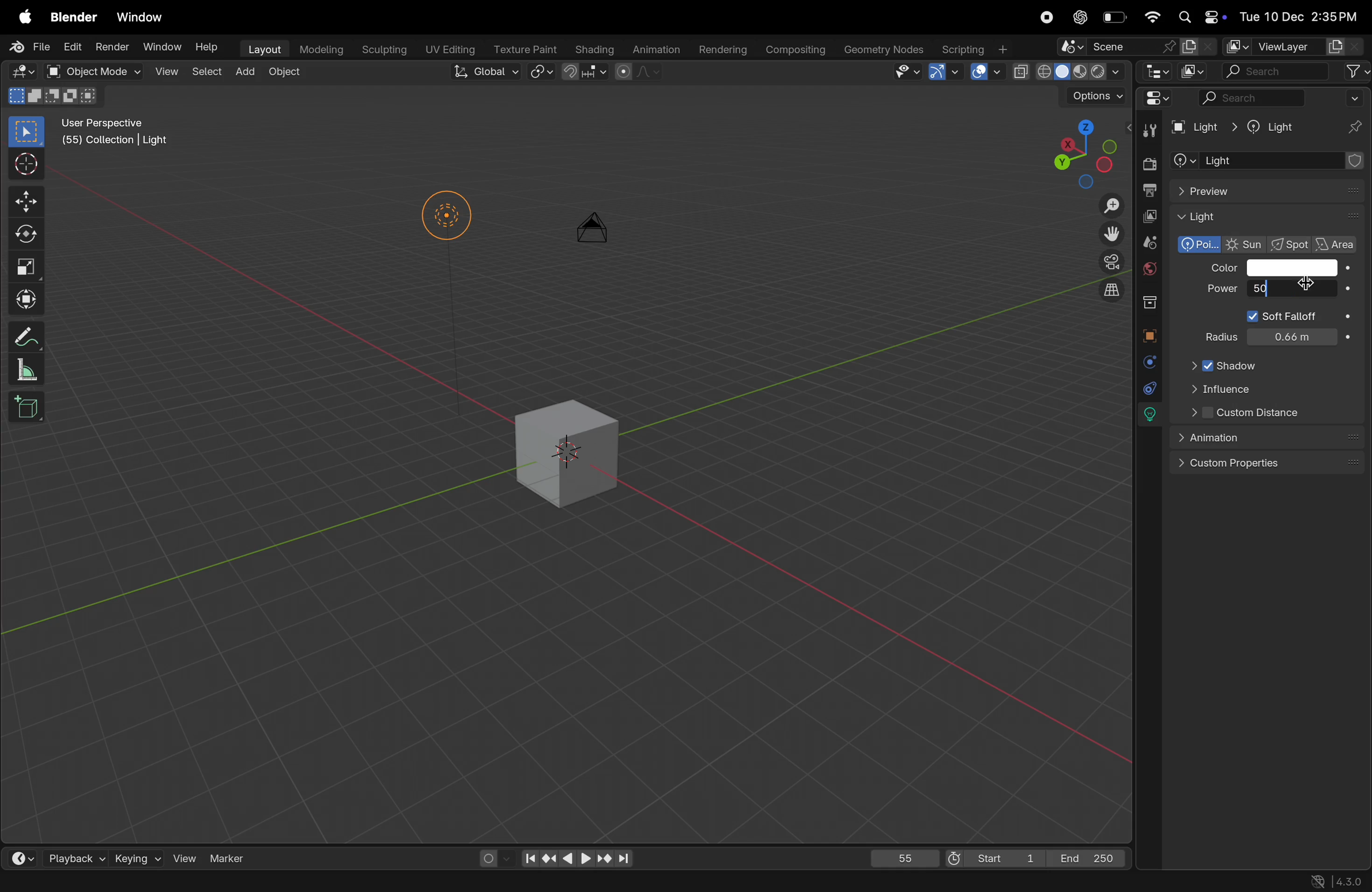  Describe the element at coordinates (1152, 334) in the screenshot. I see `object` at that location.